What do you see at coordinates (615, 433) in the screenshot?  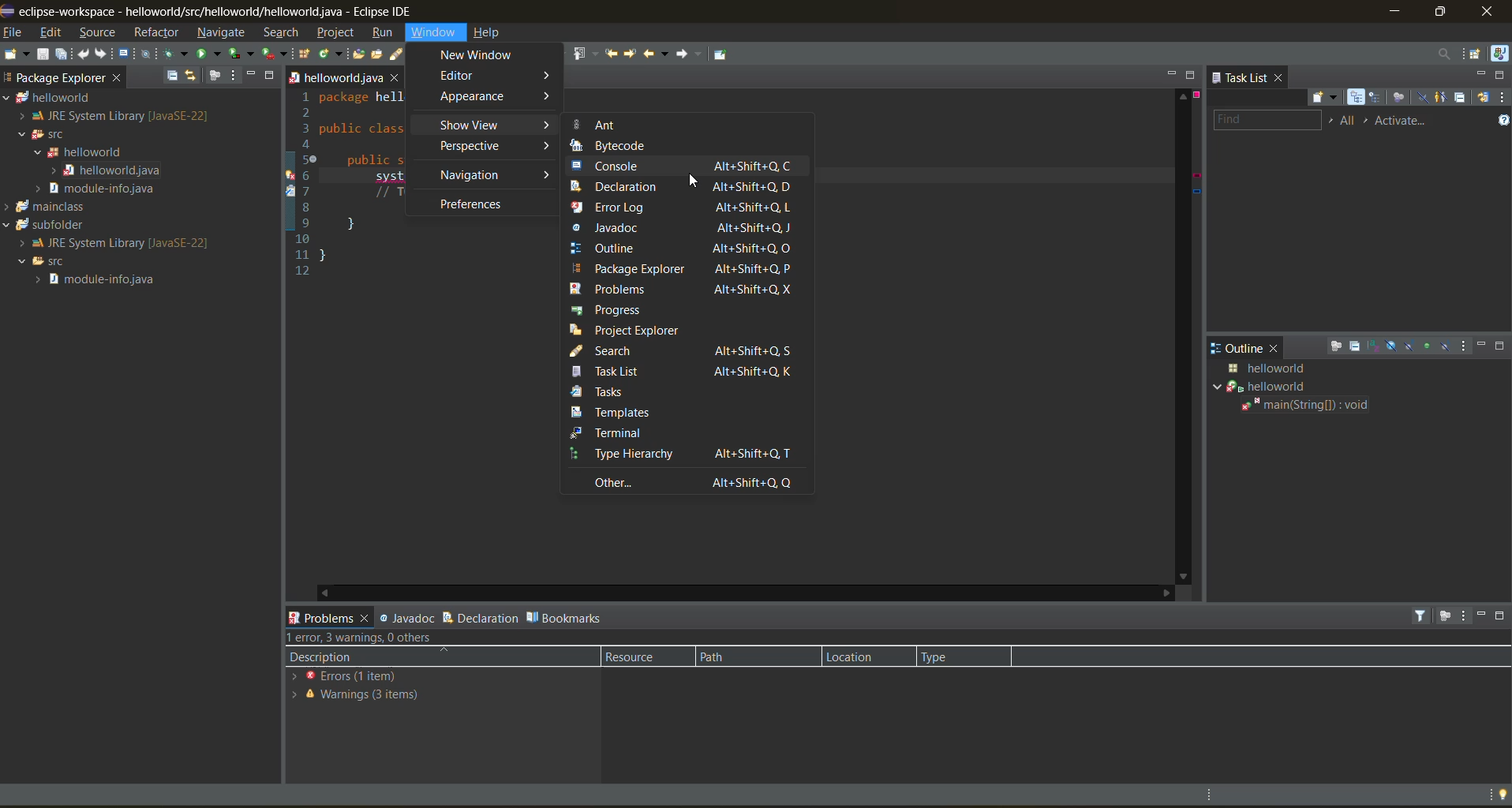 I see `terminal` at bounding box center [615, 433].